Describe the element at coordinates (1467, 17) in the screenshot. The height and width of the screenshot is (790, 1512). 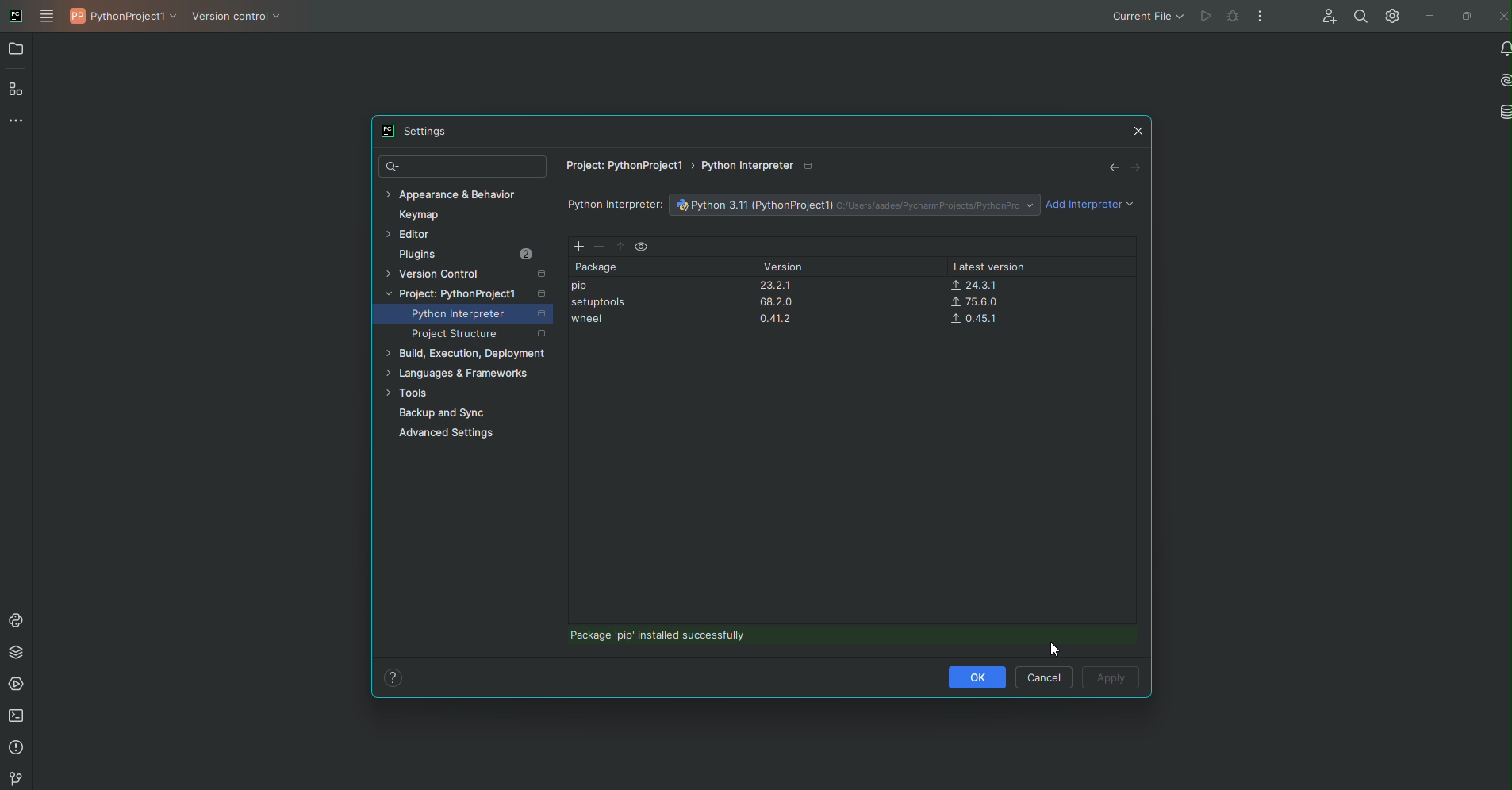
I see `Restore` at that location.